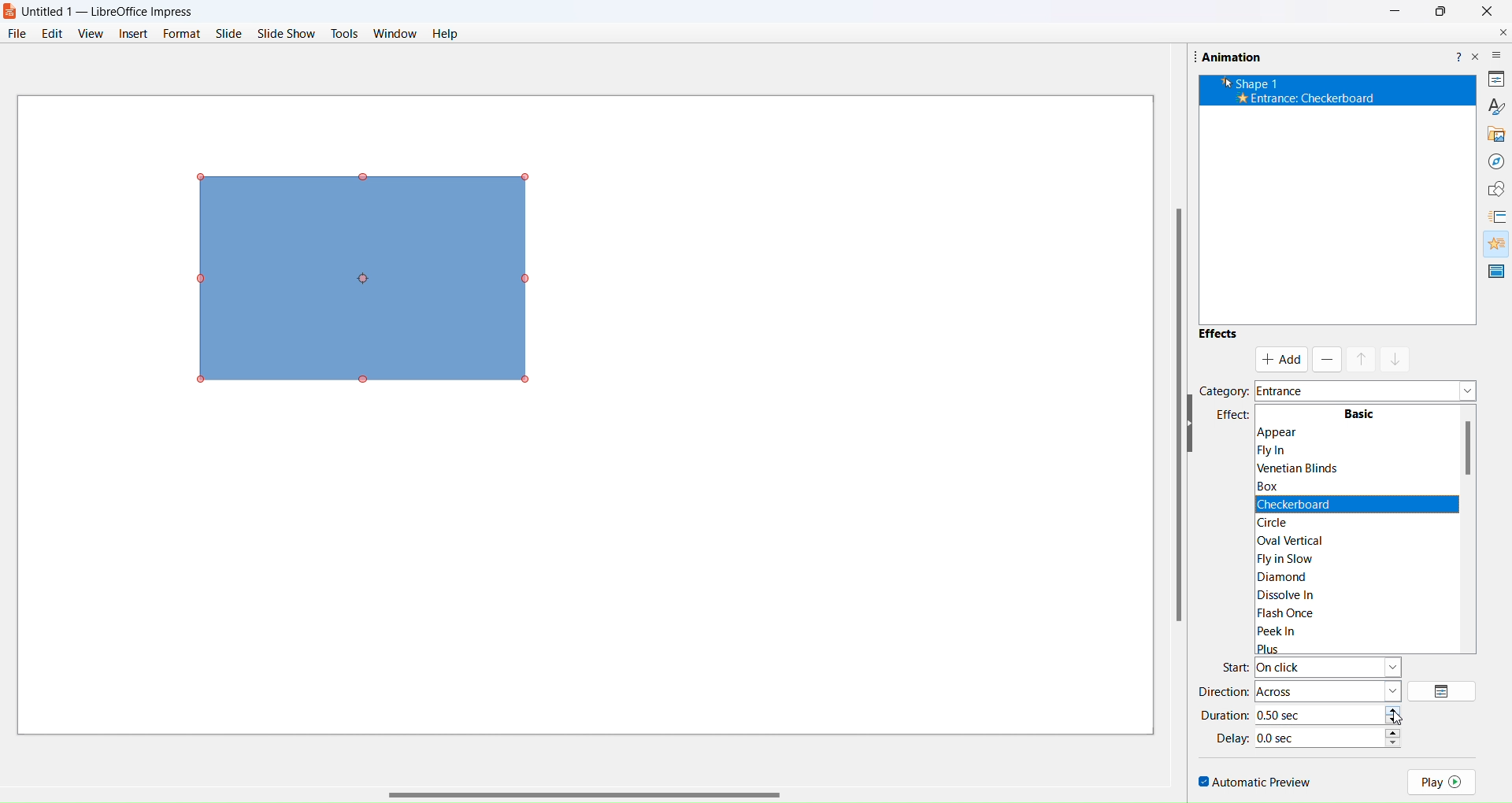 The width and height of the screenshot is (1512, 803). What do you see at coordinates (1360, 358) in the screenshot?
I see `mask up` at bounding box center [1360, 358].